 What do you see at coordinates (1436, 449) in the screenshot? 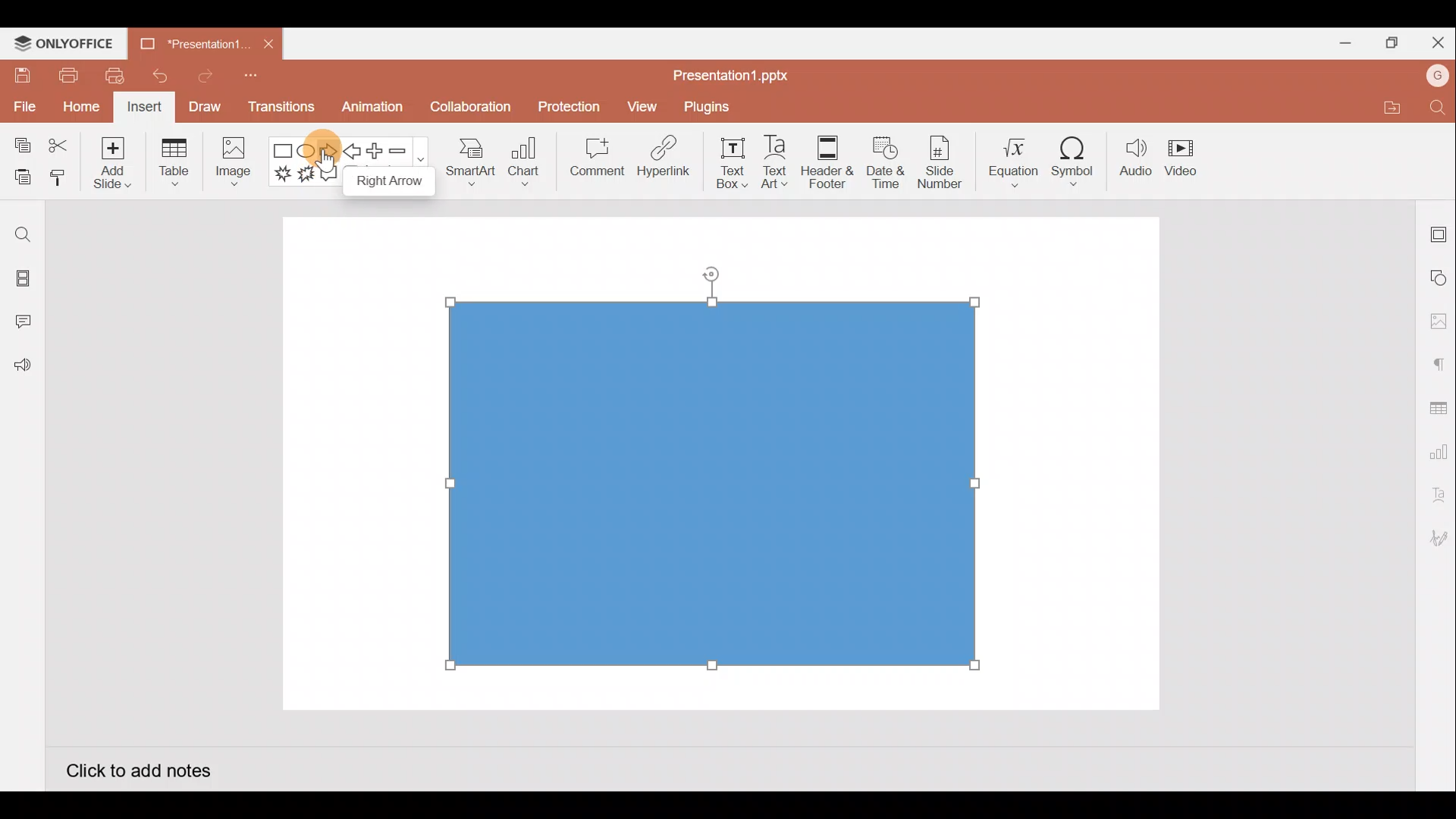
I see `Chart settings` at bounding box center [1436, 449].